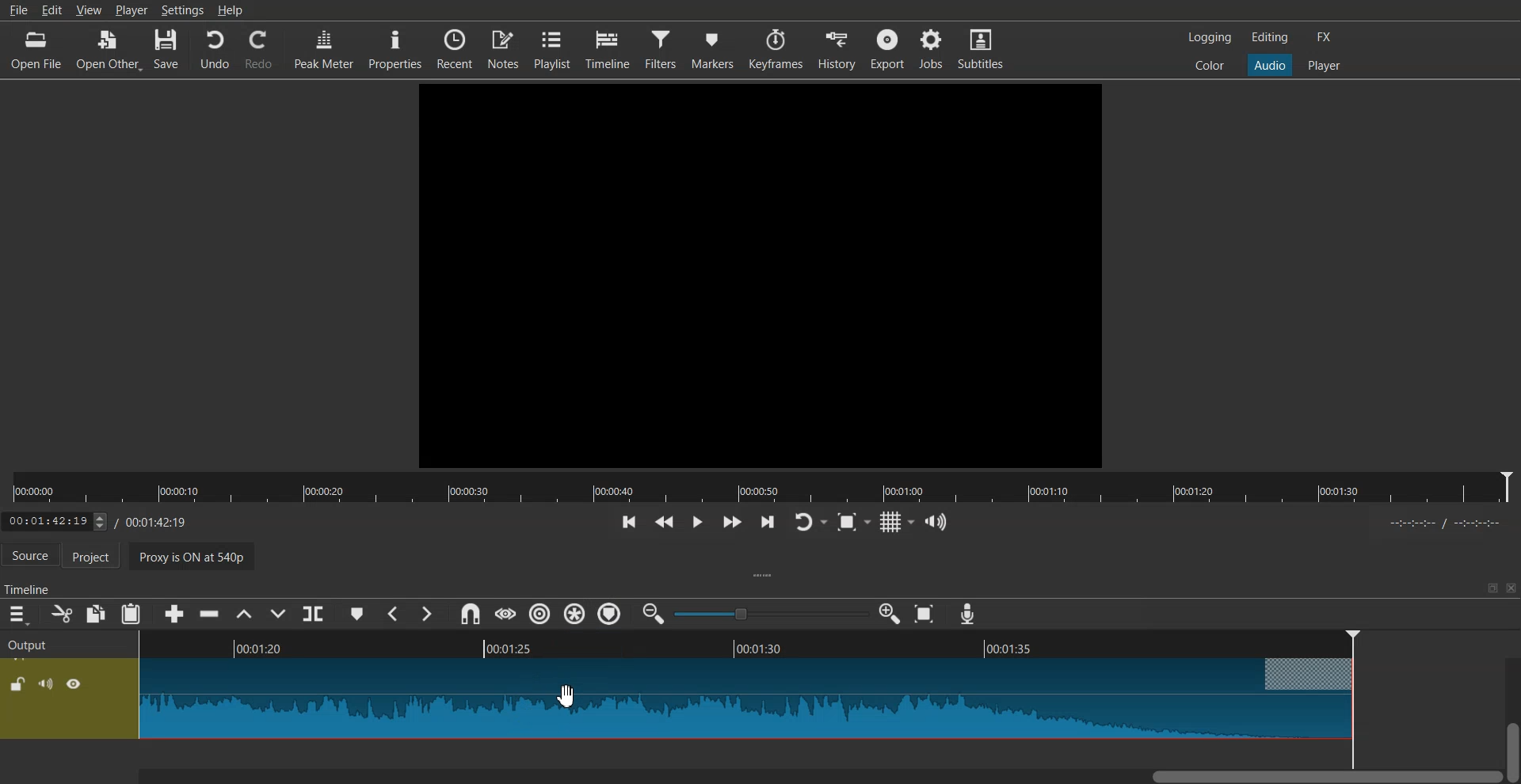 Image resolution: width=1521 pixels, height=784 pixels. What do you see at coordinates (1271, 64) in the screenshot?
I see `Switch to the Audio layout` at bounding box center [1271, 64].